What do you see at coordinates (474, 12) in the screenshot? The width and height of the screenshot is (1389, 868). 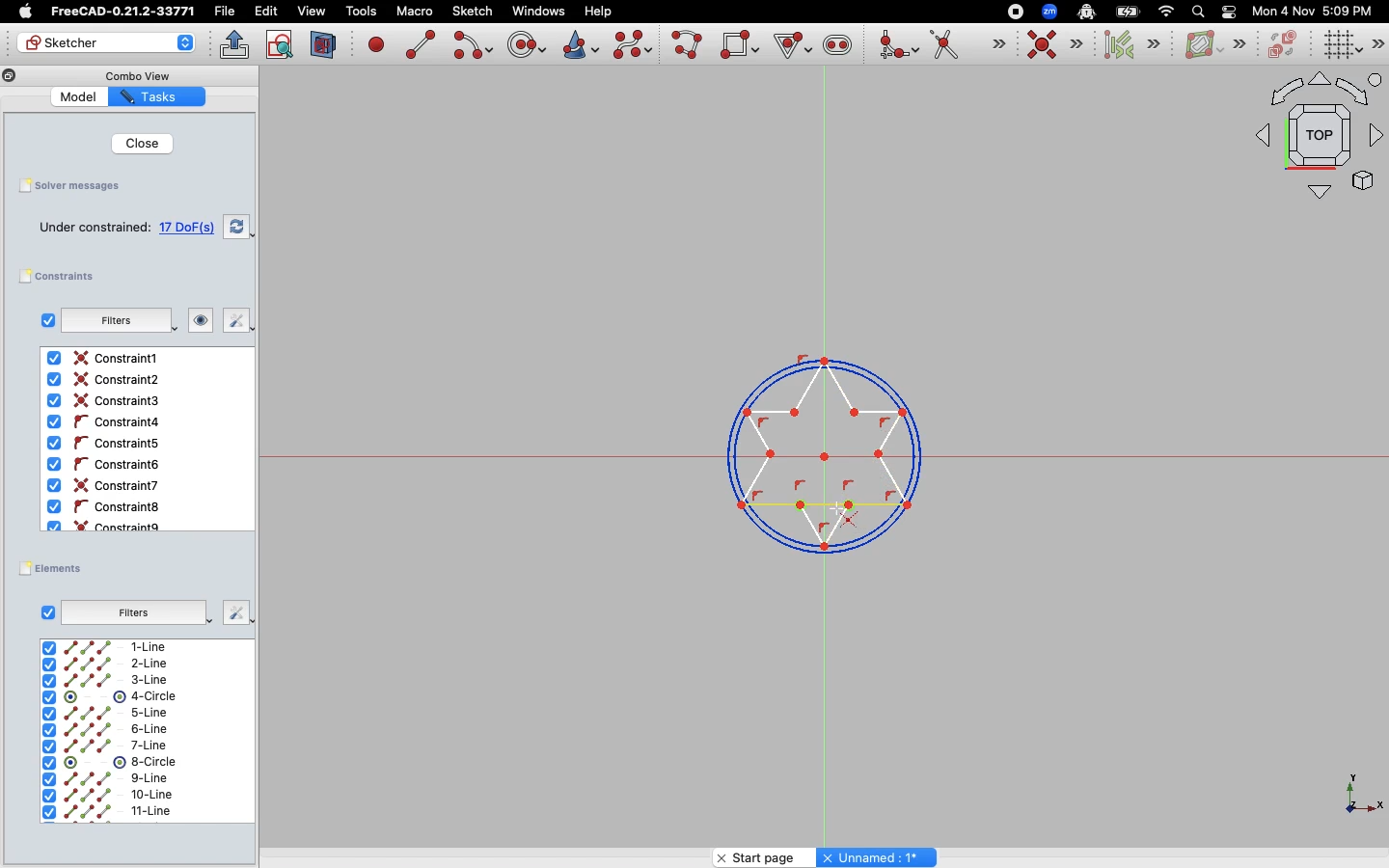 I see `Sketch` at bounding box center [474, 12].